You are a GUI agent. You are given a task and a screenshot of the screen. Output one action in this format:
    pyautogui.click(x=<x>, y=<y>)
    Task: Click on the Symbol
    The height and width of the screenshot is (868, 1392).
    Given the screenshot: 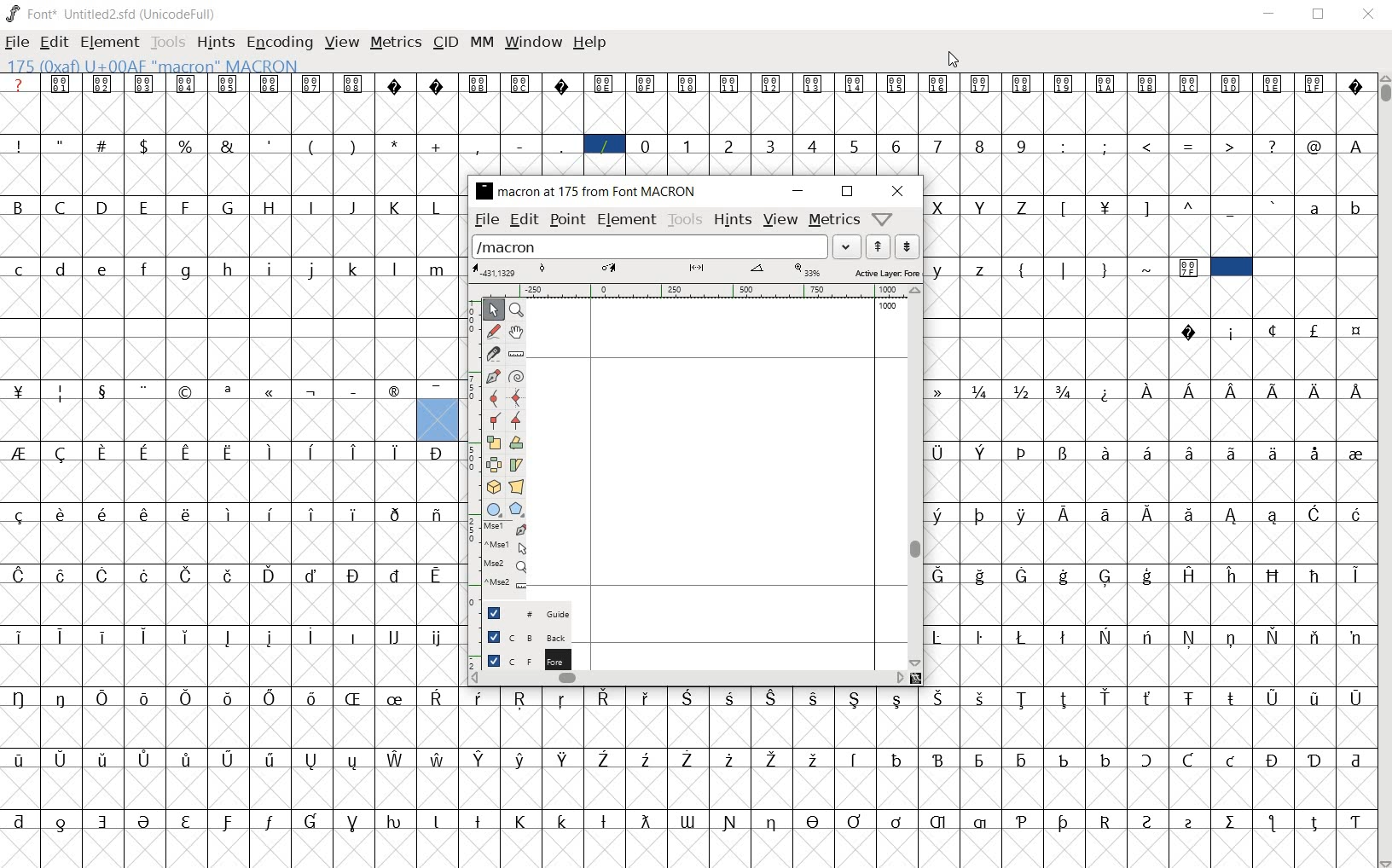 What is the action you would take?
    pyautogui.click(x=1190, y=451)
    